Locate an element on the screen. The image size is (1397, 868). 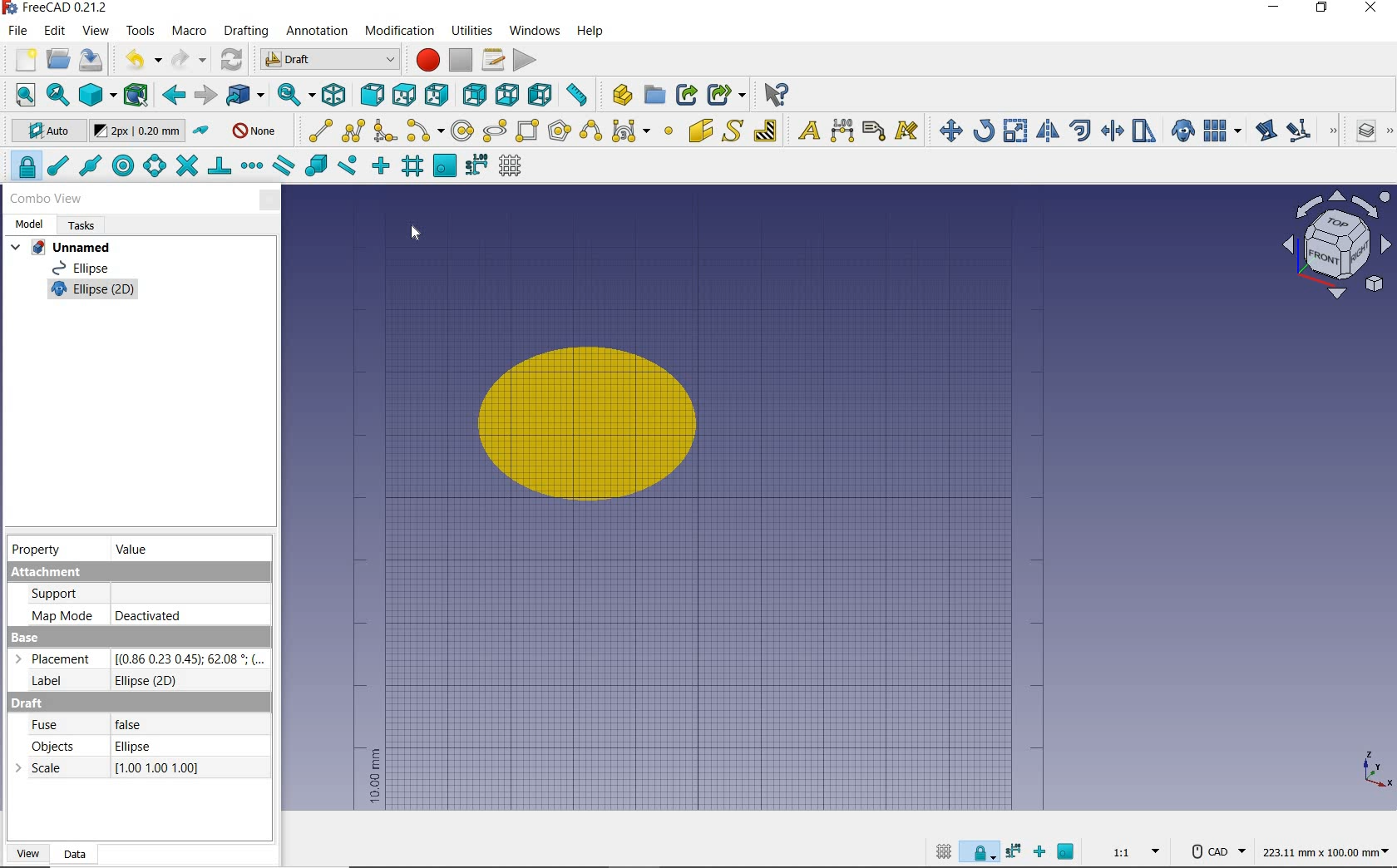
make link is located at coordinates (687, 95).